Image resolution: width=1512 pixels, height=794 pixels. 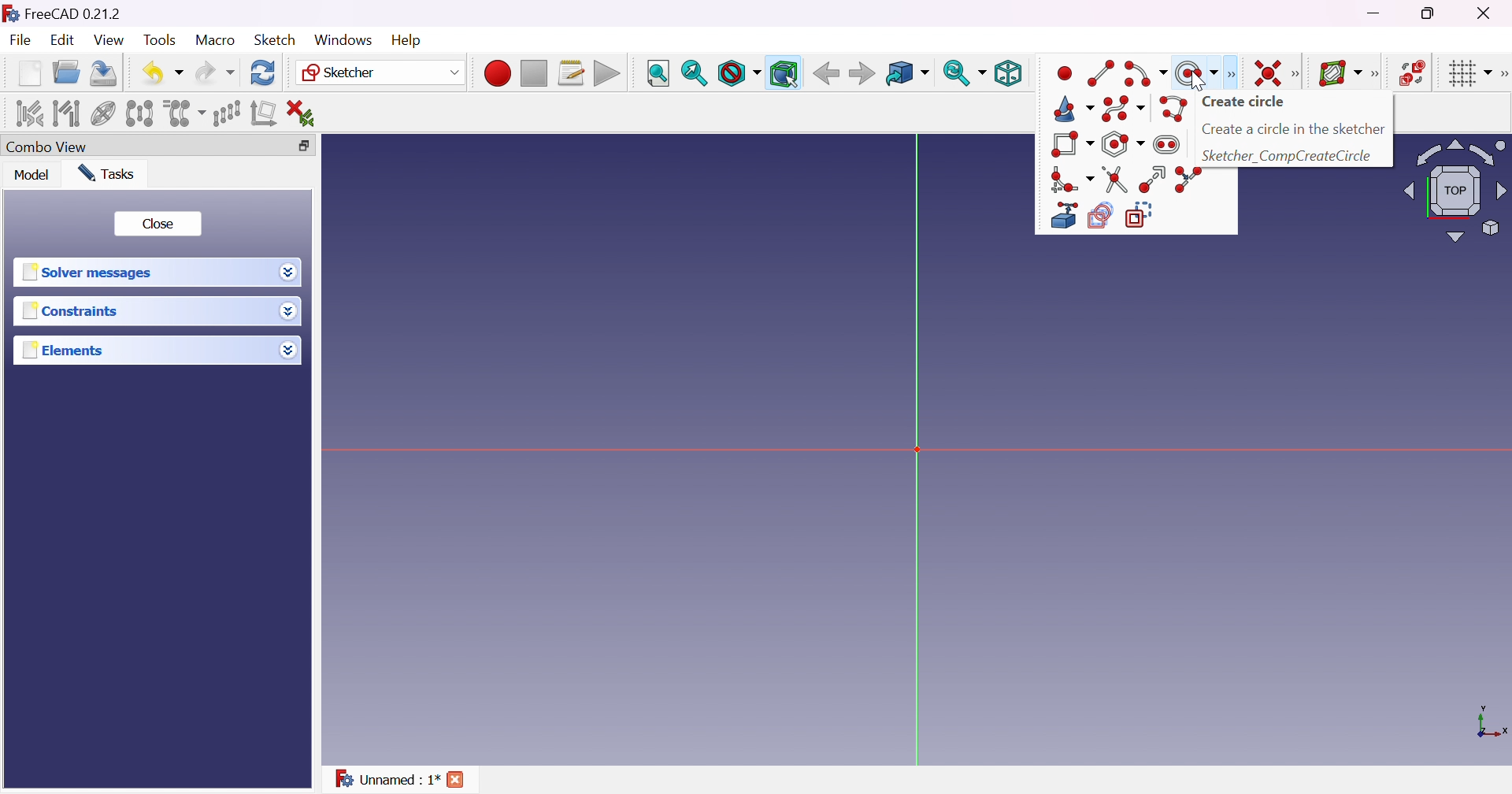 What do you see at coordinates (288, 274) in the screenshot?
I see `Drop down` at bounding box center [288, 274].